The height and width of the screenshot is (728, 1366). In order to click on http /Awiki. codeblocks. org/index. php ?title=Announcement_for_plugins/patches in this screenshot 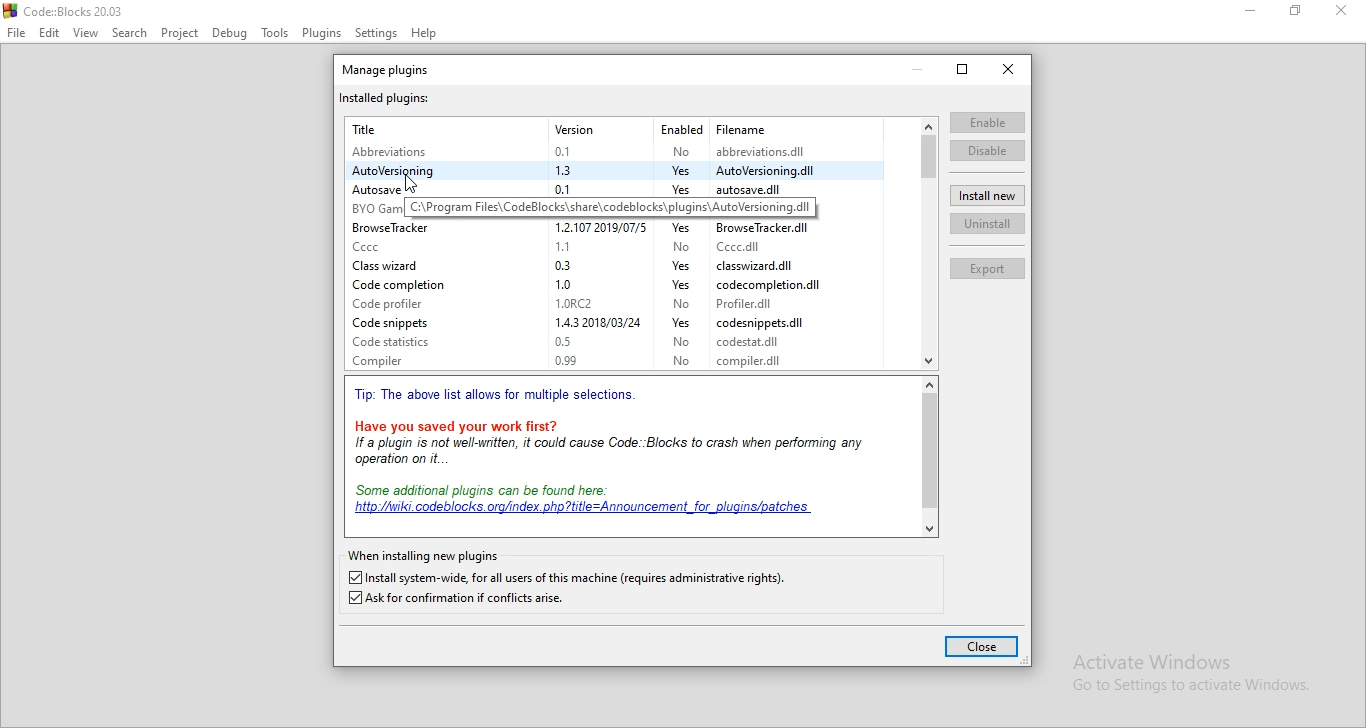, I will do `click(584, 508)`.